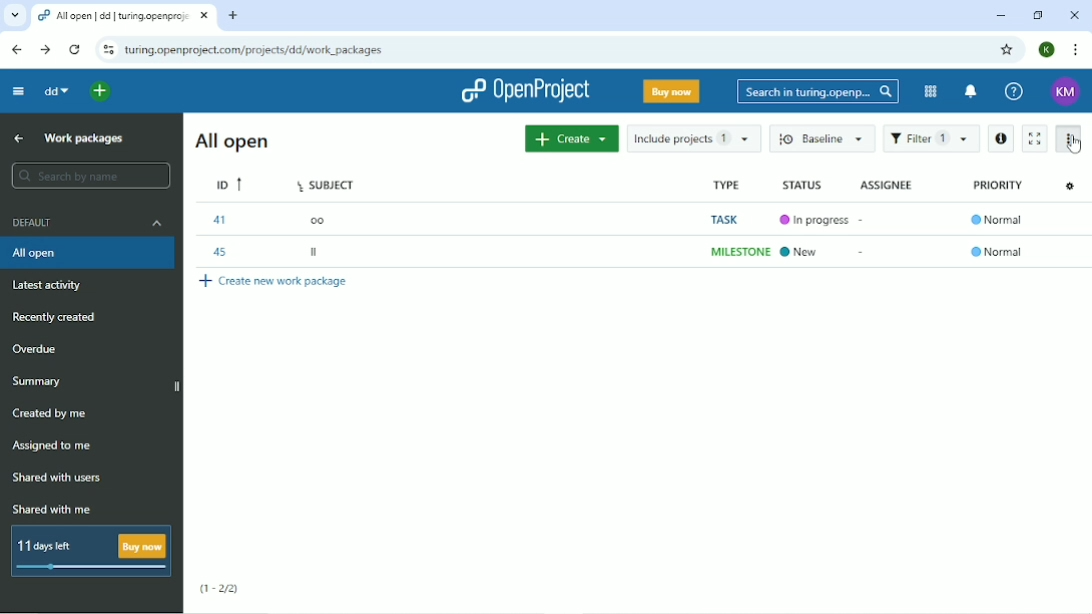  Describe the element at coordinates (53, 414) in the screenshot. I see `Created by me` at that location.